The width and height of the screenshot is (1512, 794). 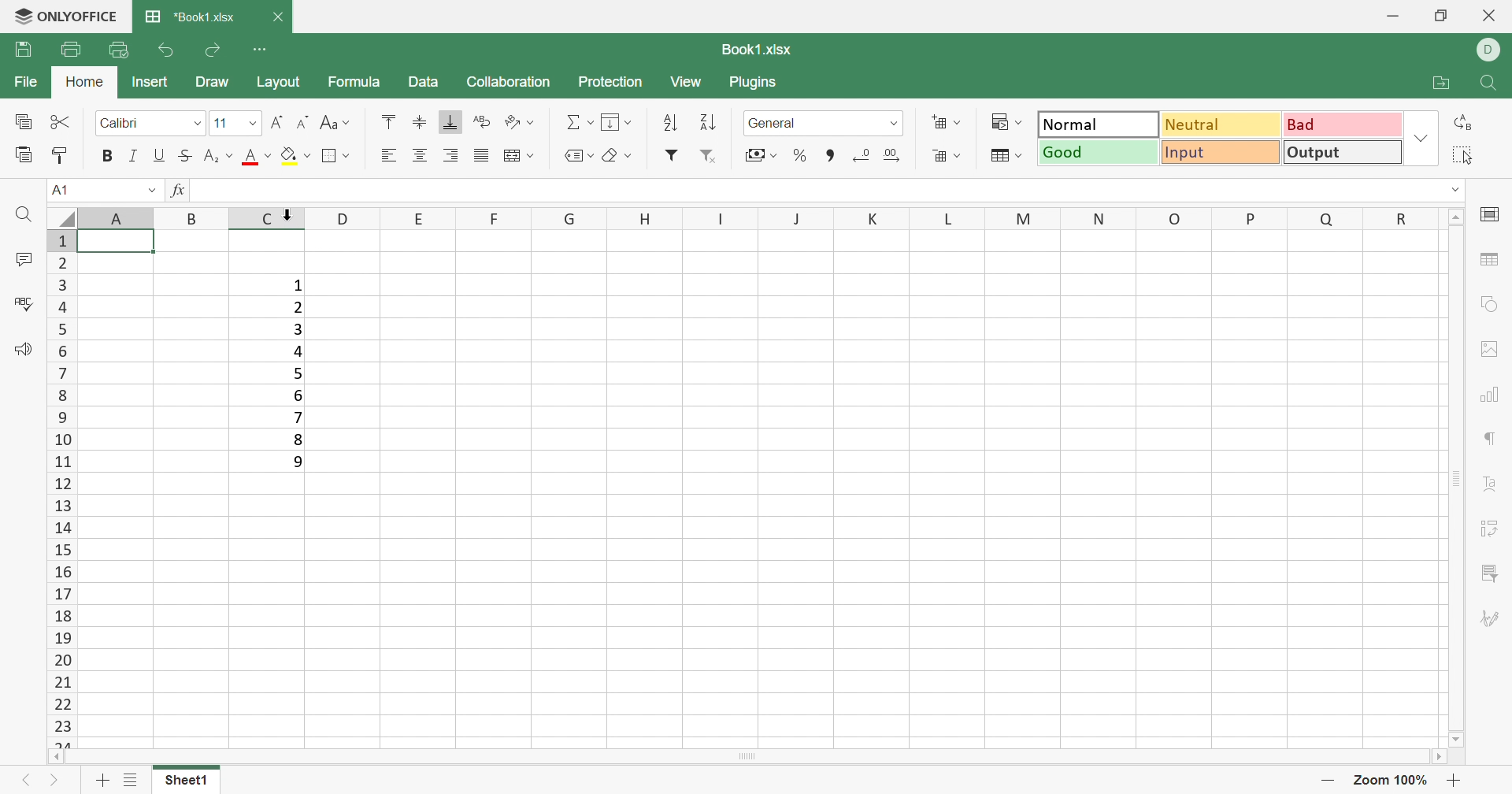 I want to click on R, so click(x=1395, y=219).